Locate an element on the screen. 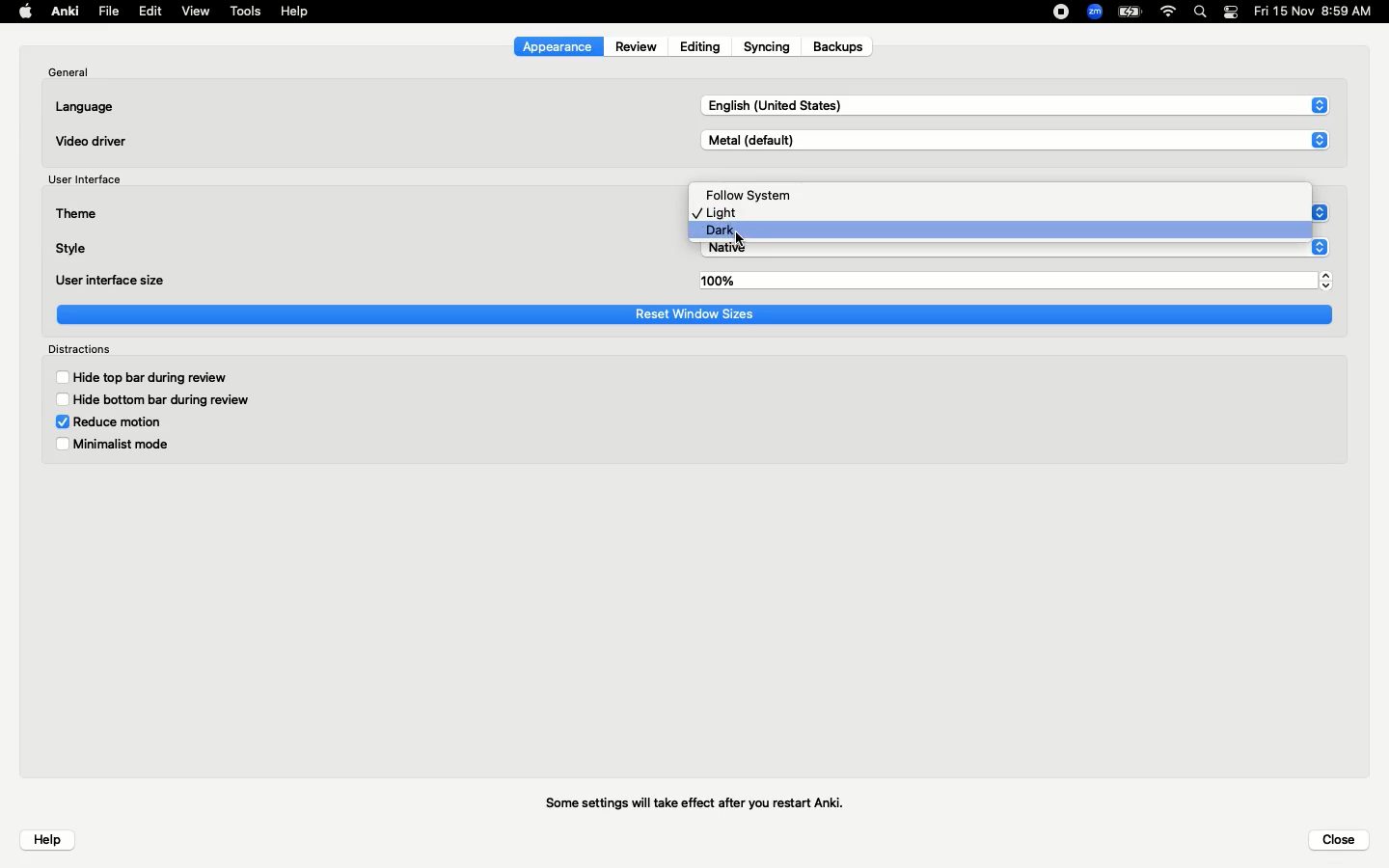 The width and height of the screenshot is (1389, 868). Metal is located at coordinates (1013, 140).